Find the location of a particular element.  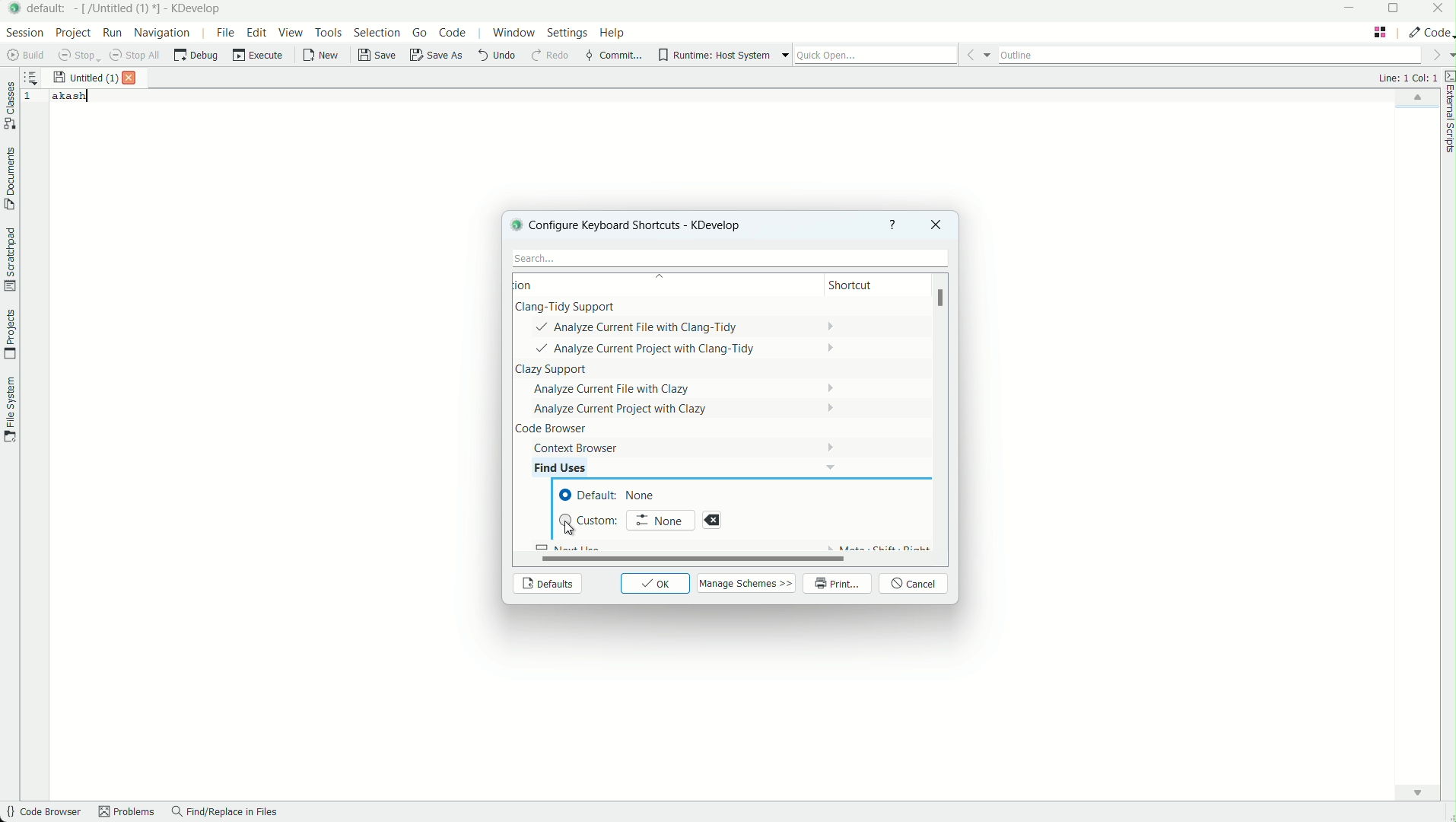

stop is located at coordinates (79, 56).